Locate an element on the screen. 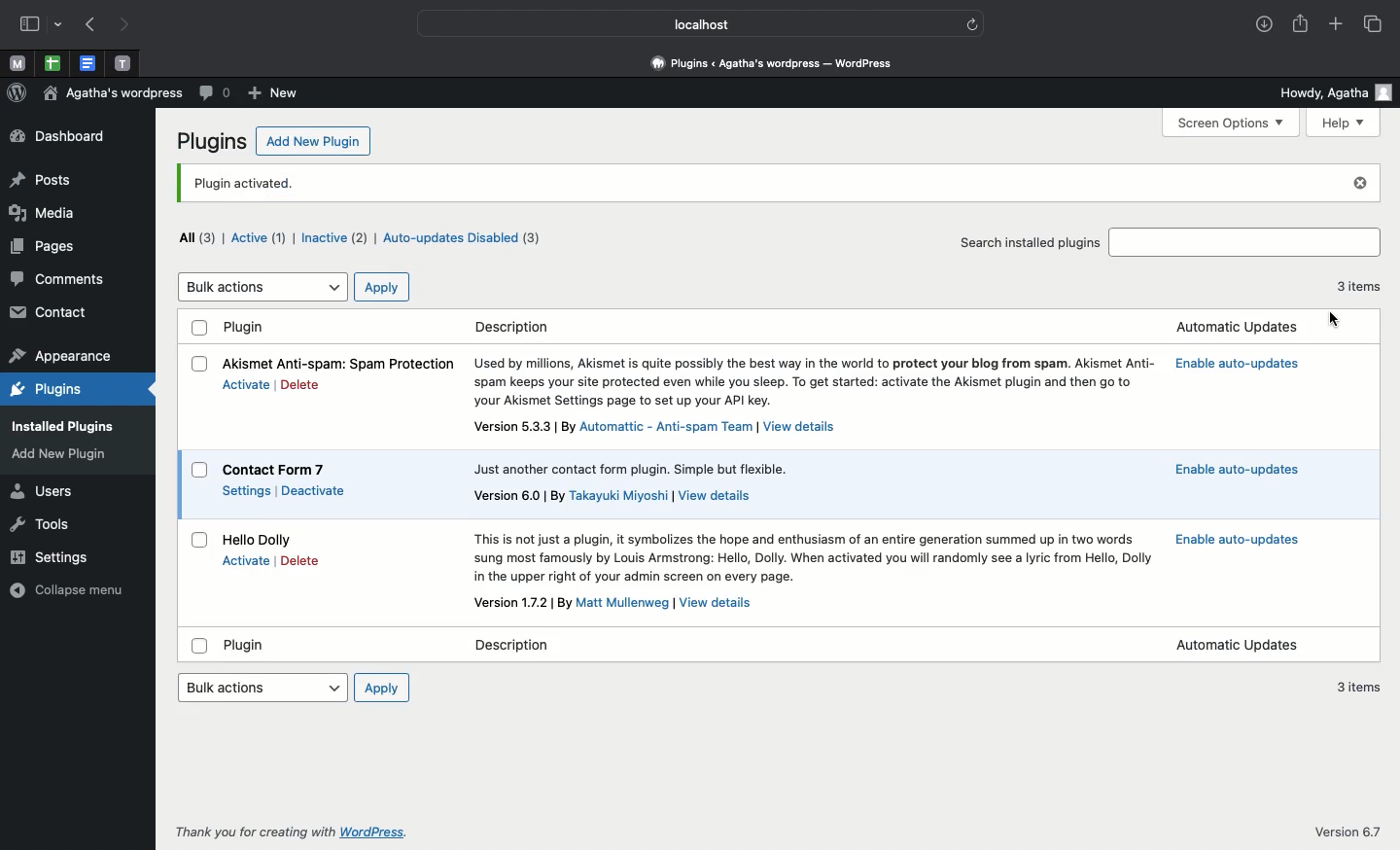 The image size is (1400, 850). Checkbox is located at coordinates (193, 473).